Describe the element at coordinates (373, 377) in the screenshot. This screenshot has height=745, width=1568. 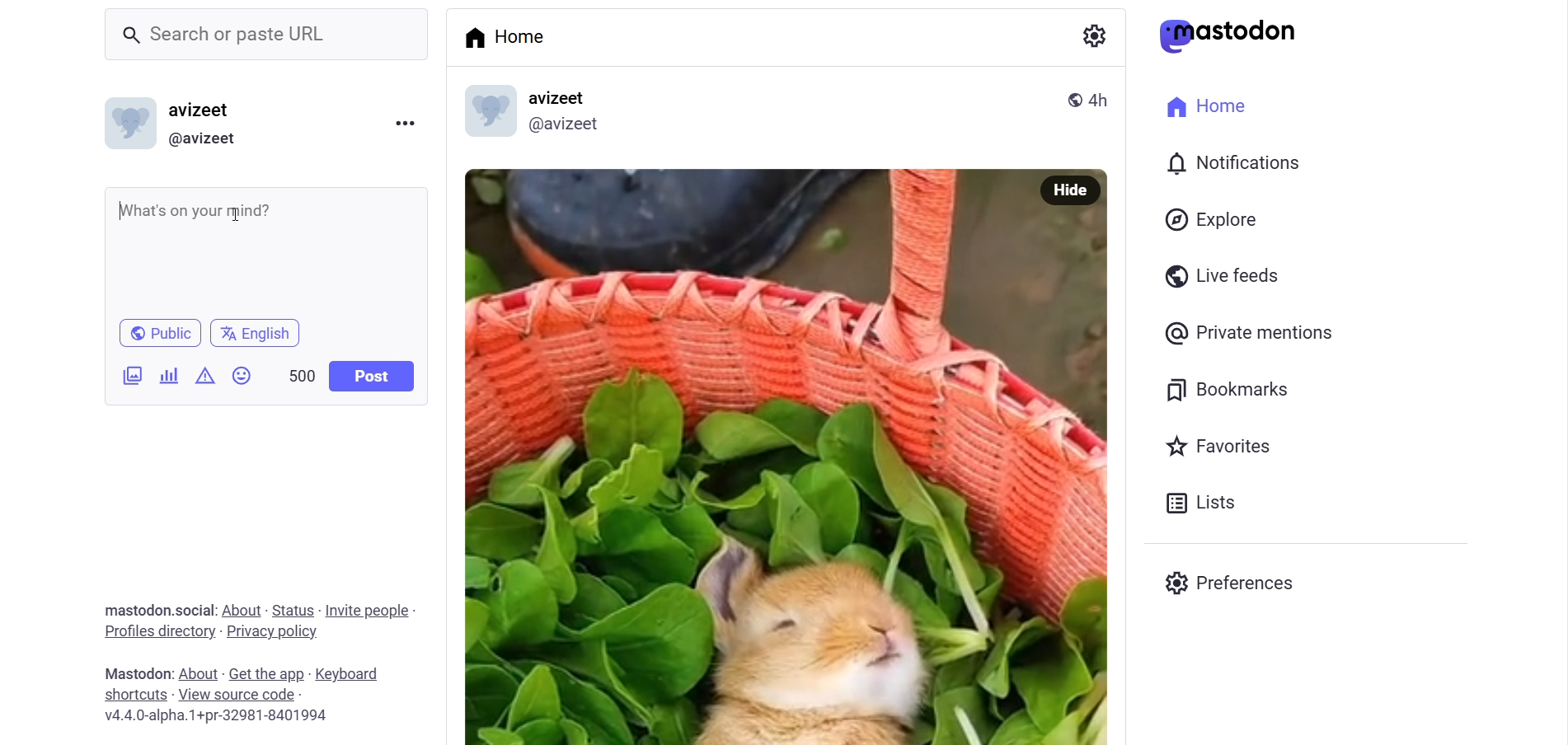
I see `Post` at that location.